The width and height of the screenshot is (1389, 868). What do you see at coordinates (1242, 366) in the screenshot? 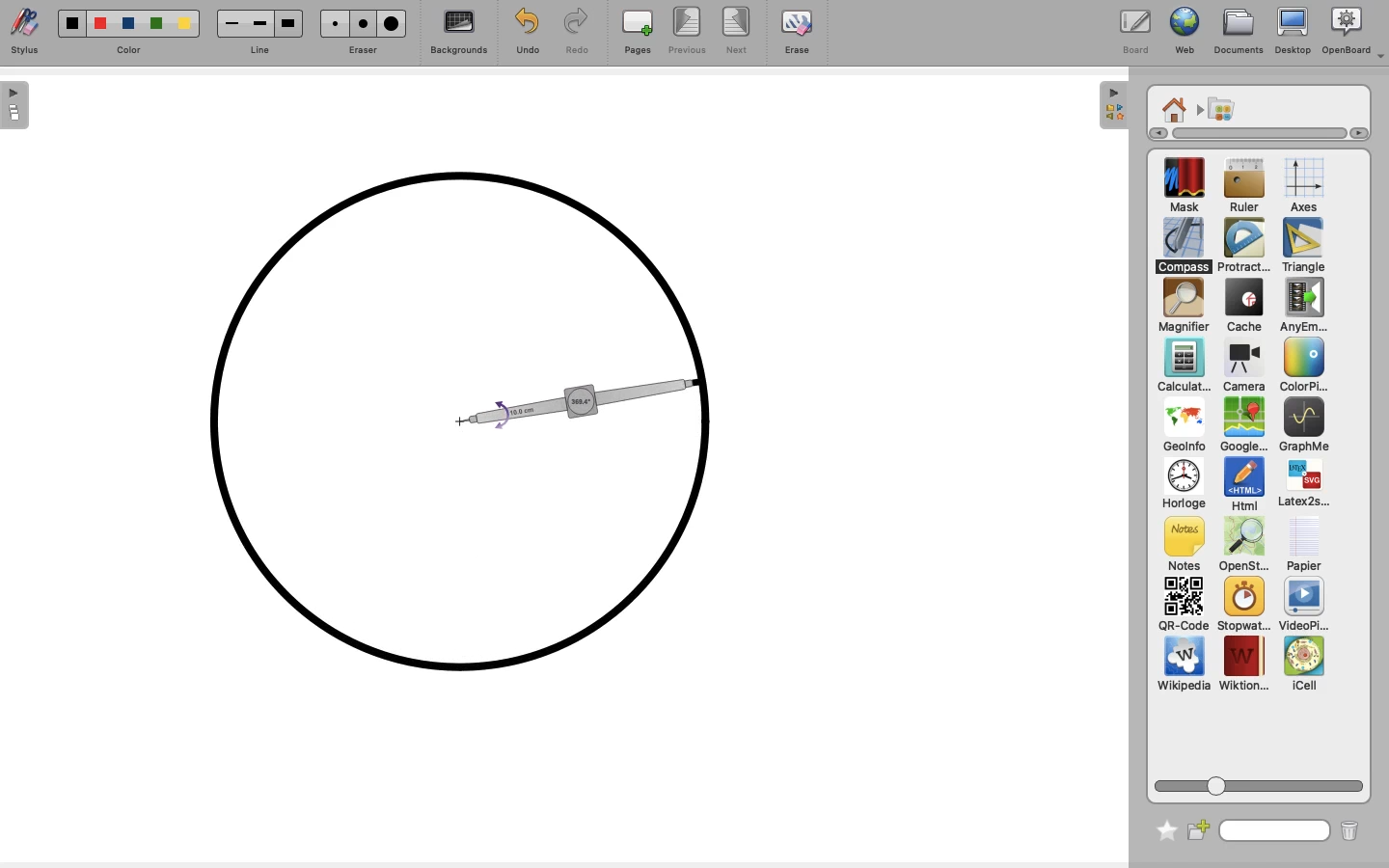
I see `Camera` at bounding box center [1242, 366].